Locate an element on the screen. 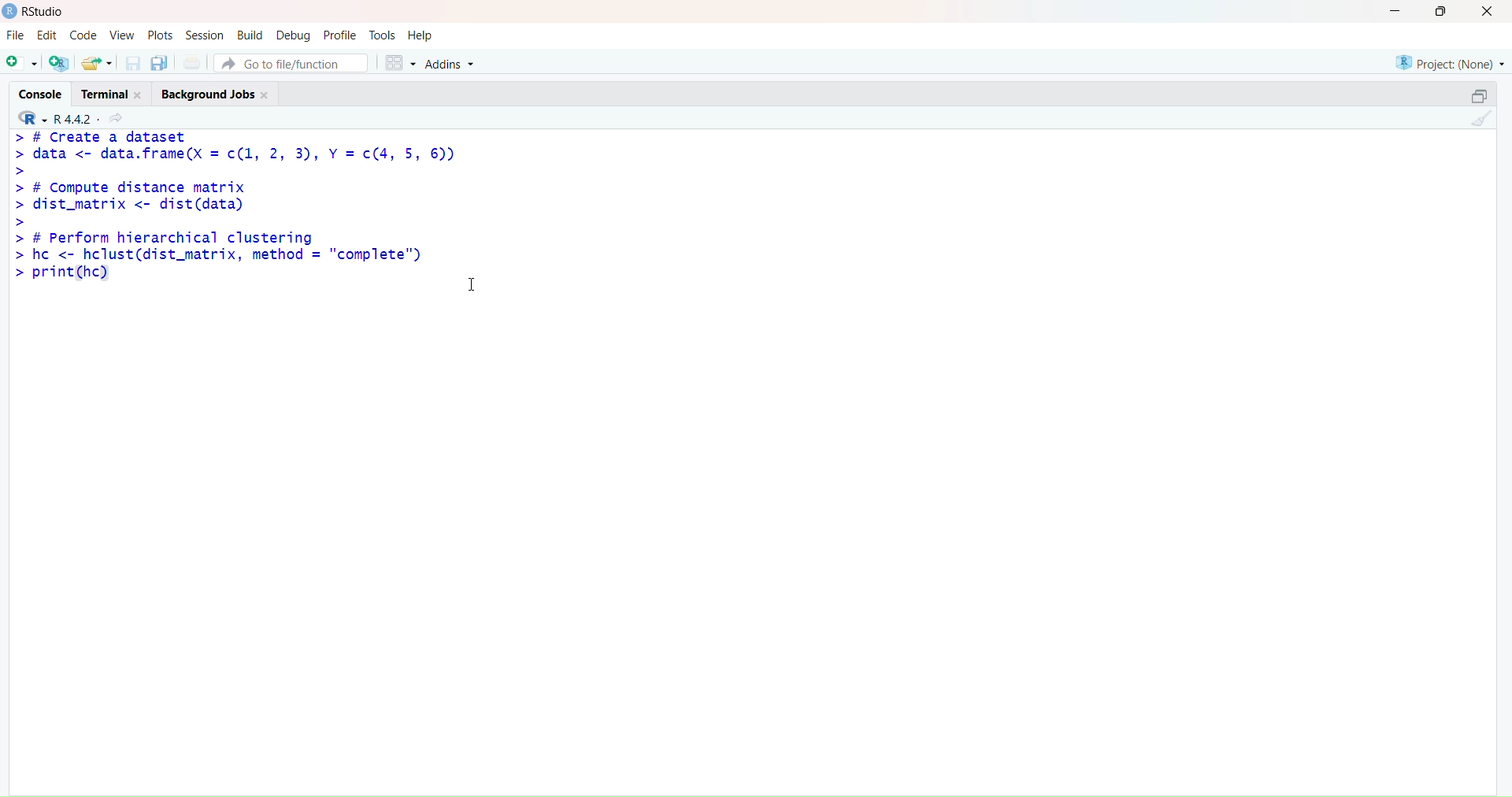  Maximize is located at coordinates (1475, 96).